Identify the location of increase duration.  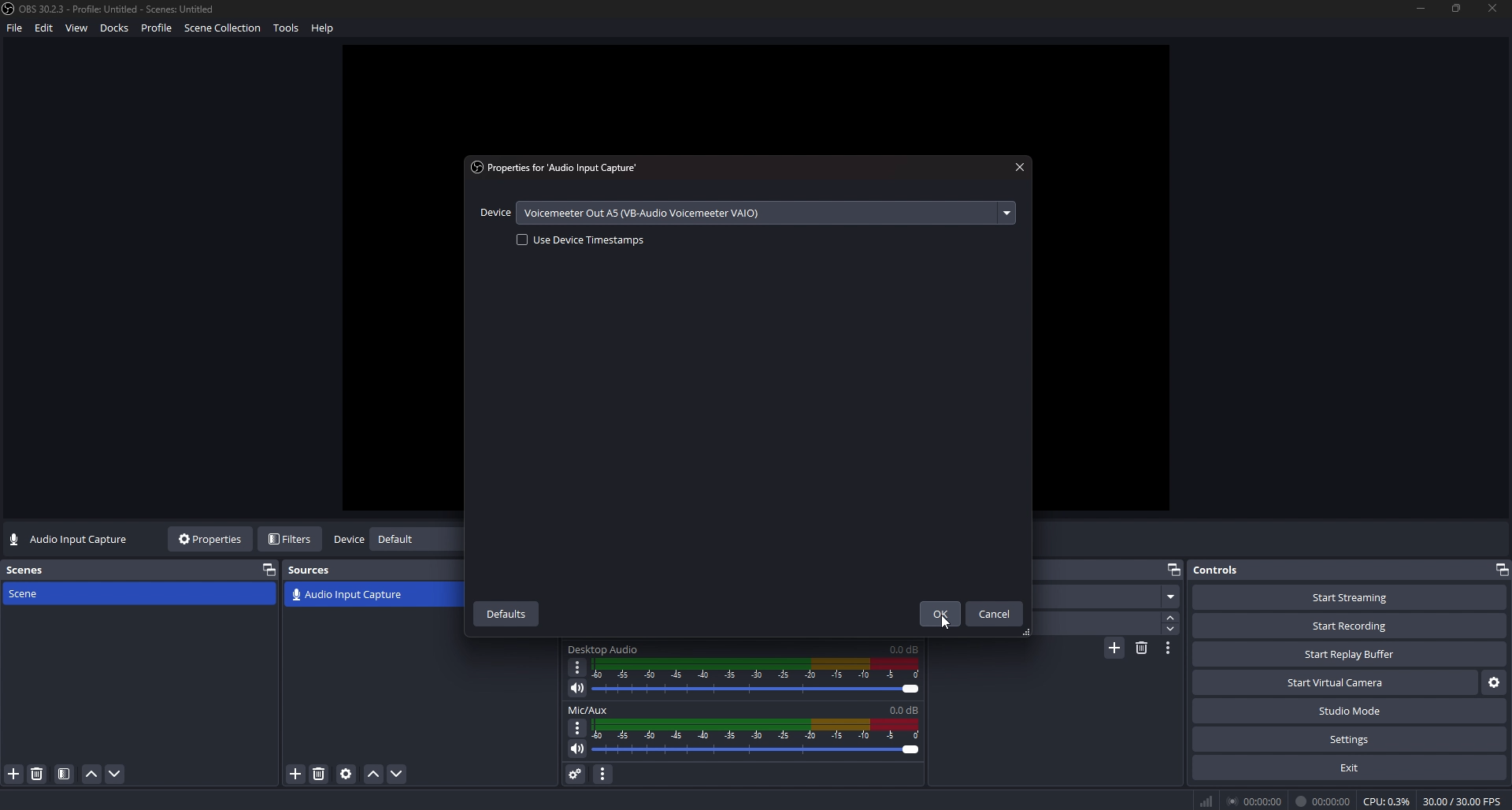
(1173, 616).